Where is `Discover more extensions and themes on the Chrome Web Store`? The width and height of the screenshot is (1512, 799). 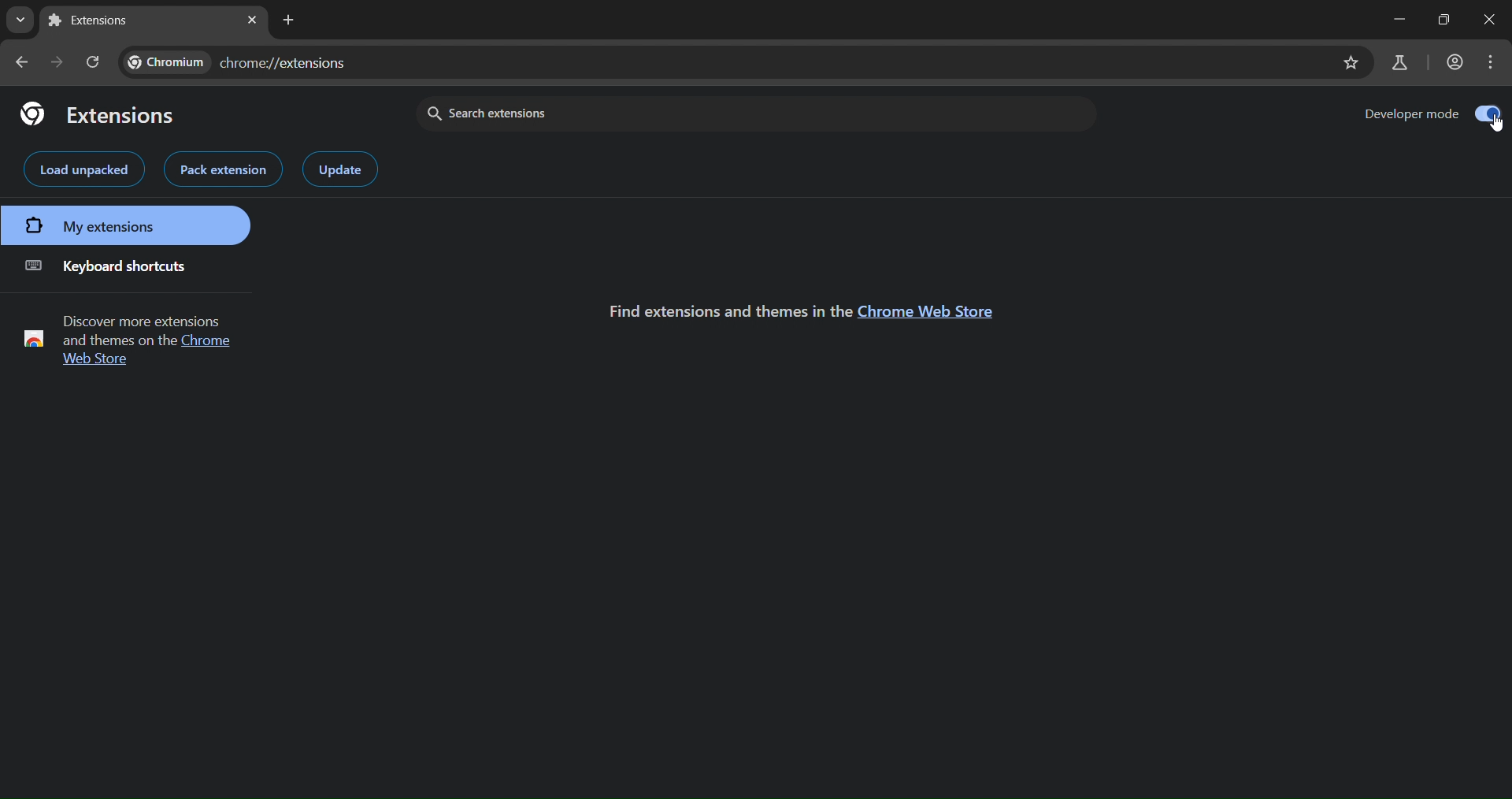 Discover more extensions and themes on the Chrome Web Store is located at coordinates (136, 335).